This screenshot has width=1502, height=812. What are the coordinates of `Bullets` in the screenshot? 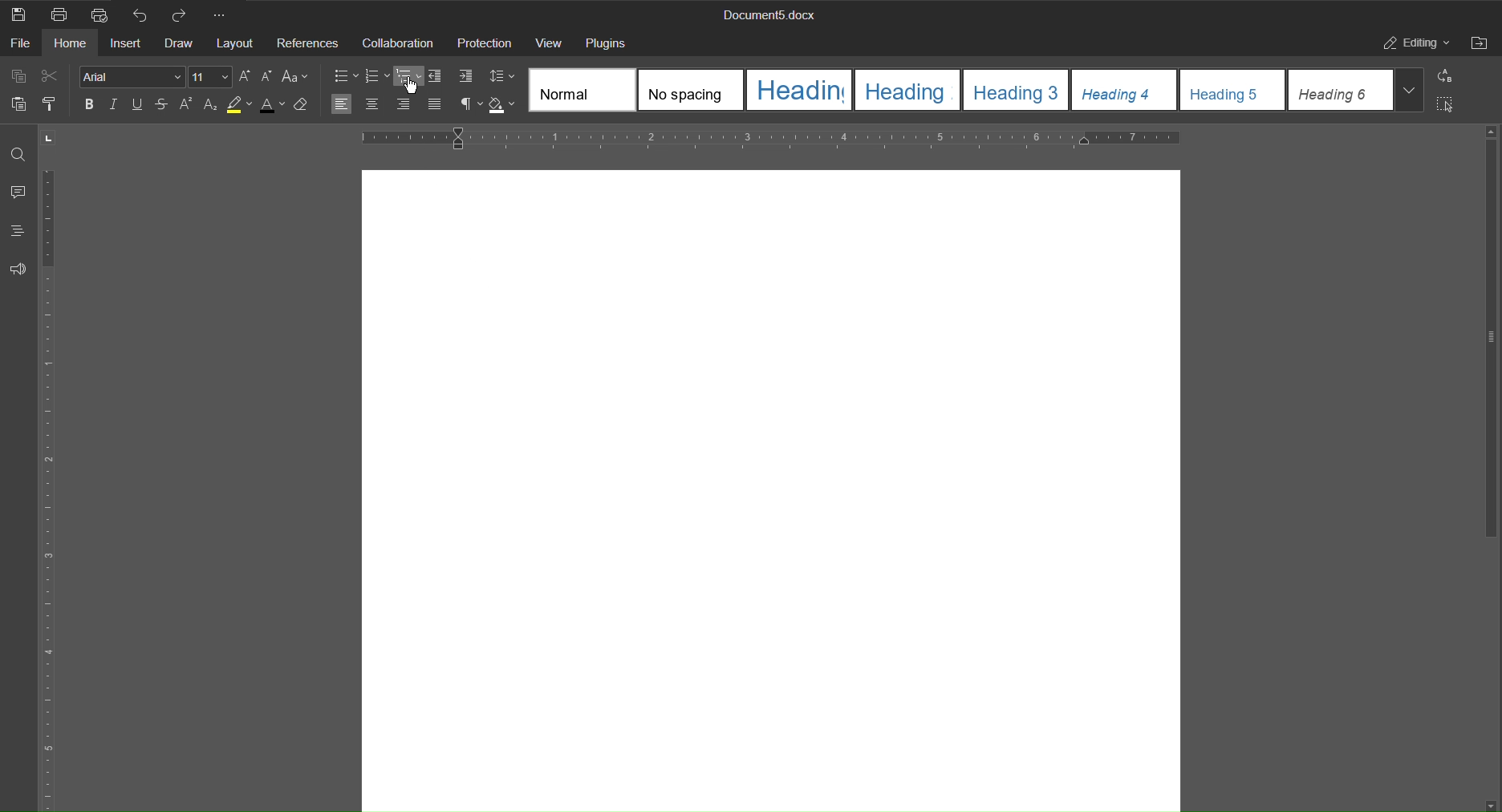 It's located at (347, 76).